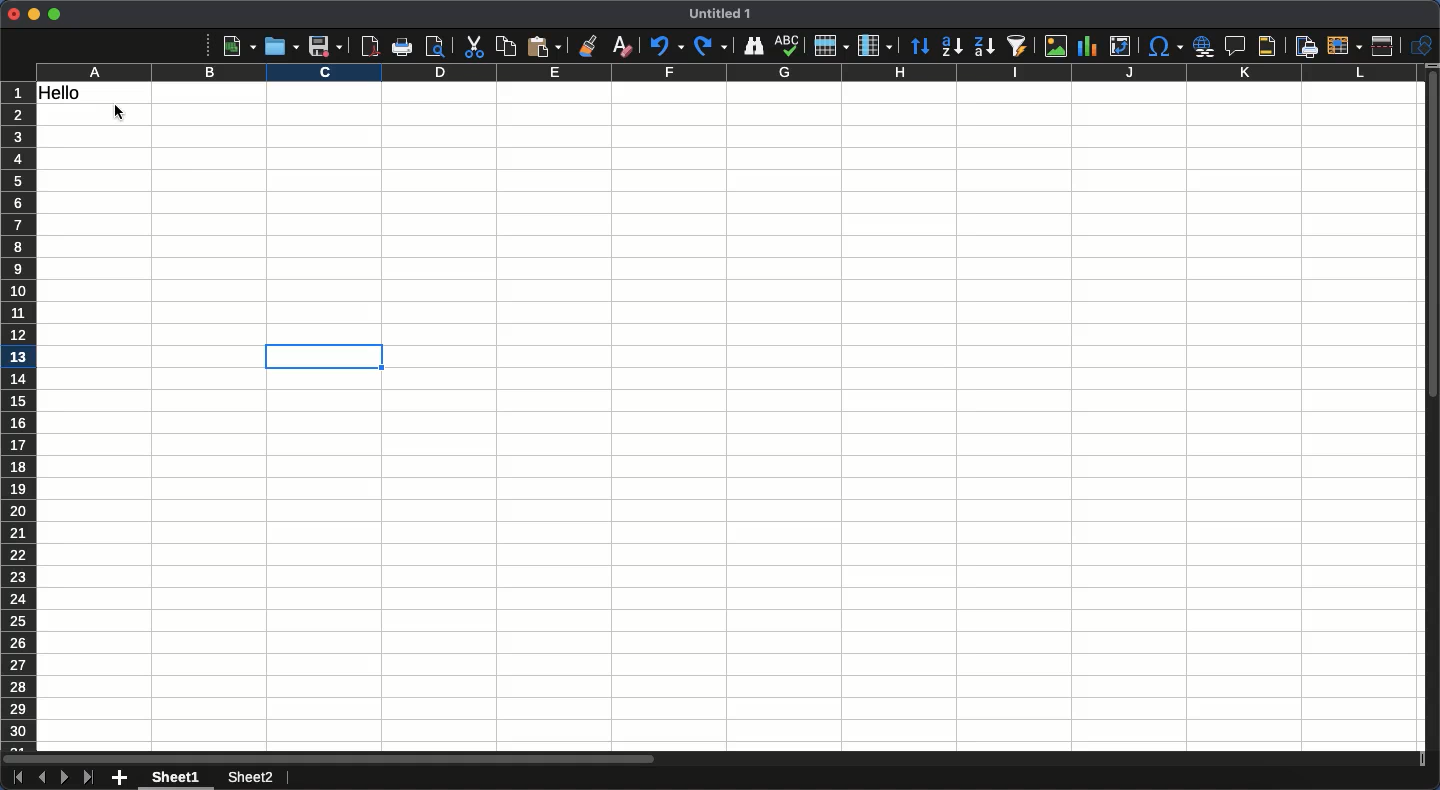  What do you see at coordinates (544, 46) in the screenshot?
I see `Paste` at bounding box center [544, 46].